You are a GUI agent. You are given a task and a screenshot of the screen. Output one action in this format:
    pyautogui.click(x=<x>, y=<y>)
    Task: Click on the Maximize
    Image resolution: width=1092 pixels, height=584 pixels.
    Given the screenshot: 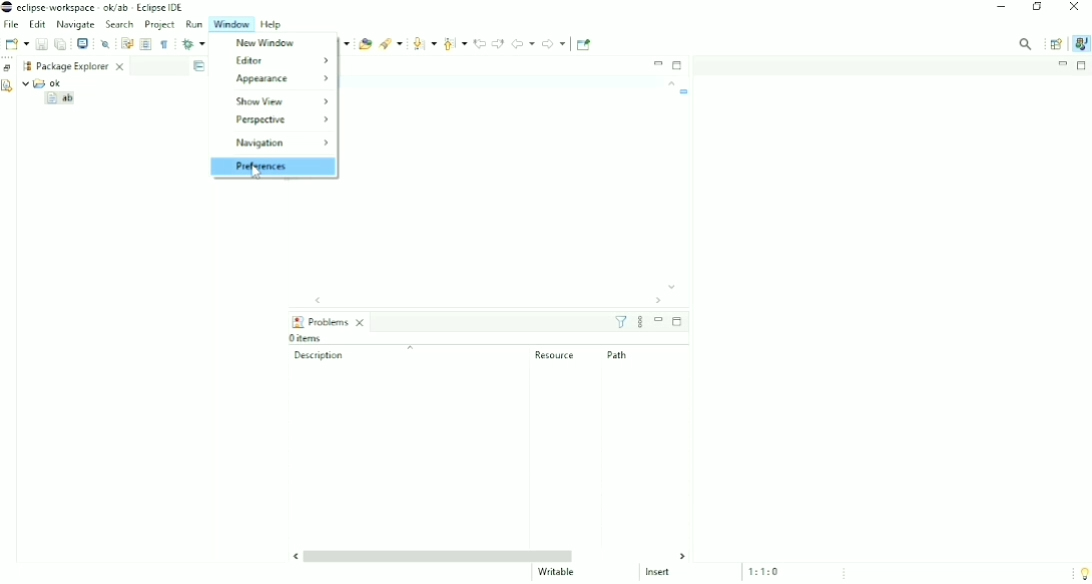 What is the action you would take?
    pyautogui.click(x=678, y=66)
    